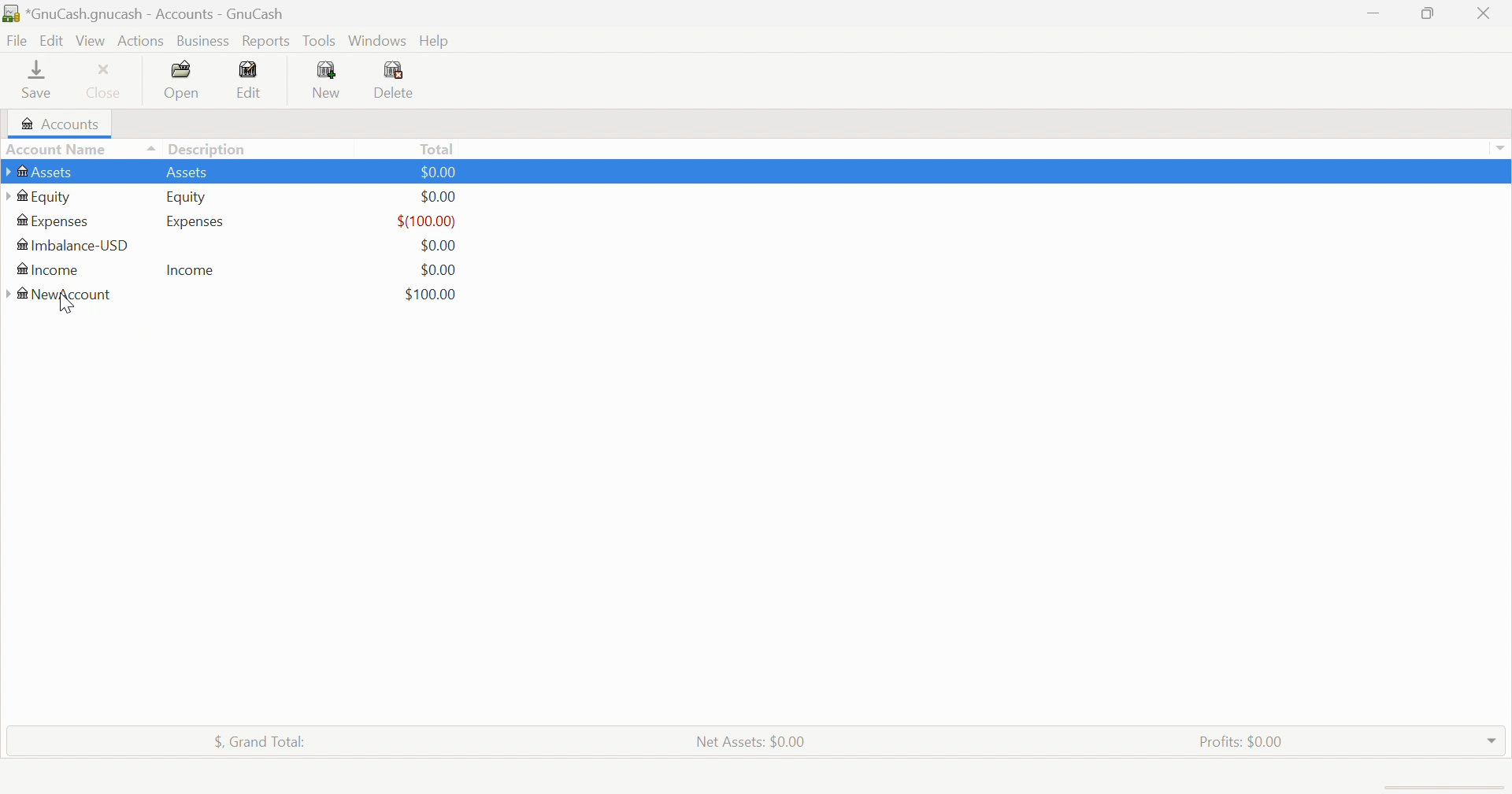 The width and height of the screenshot is (1512, 794). I want to click on Close, so click(105, 84).